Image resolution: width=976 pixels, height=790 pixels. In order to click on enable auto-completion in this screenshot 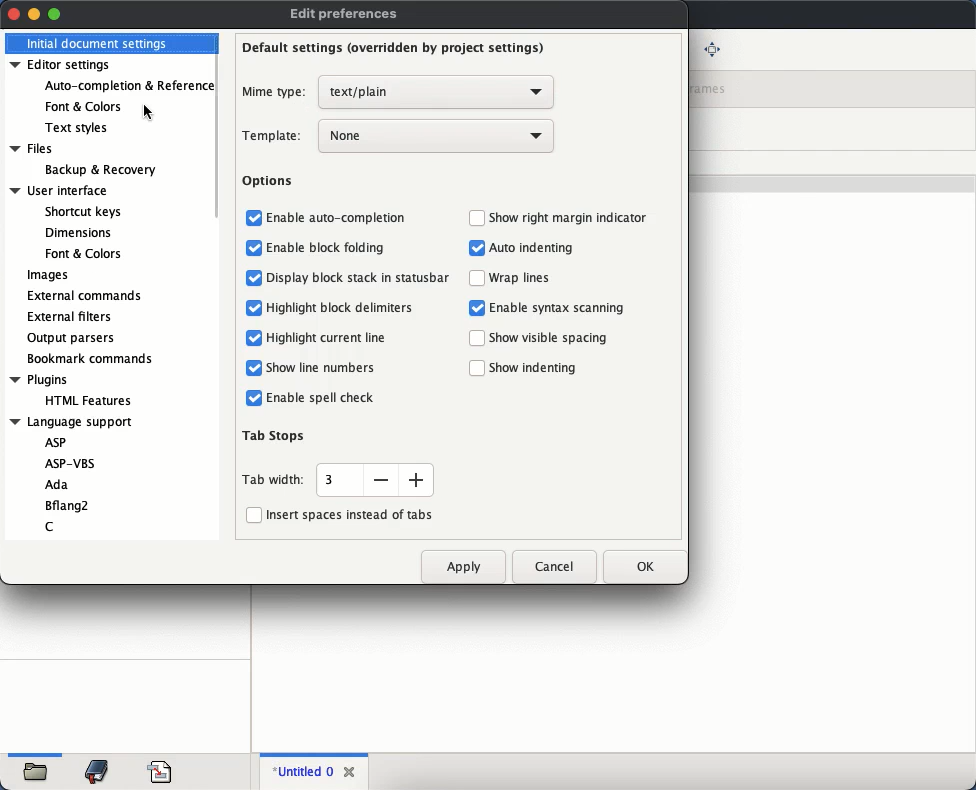, I will do `click(325, 218)`.